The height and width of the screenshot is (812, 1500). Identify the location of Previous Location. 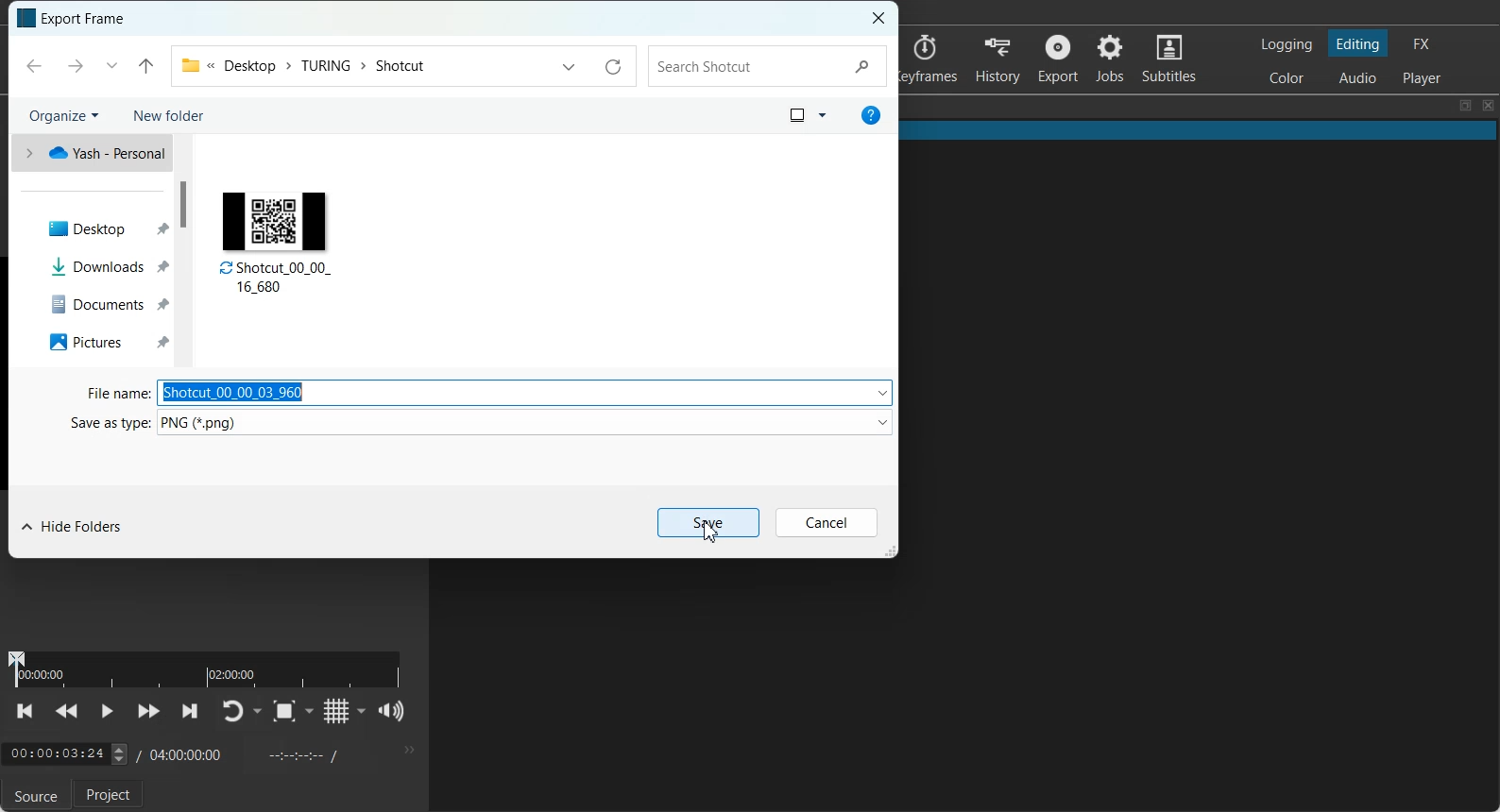
(566, 66).